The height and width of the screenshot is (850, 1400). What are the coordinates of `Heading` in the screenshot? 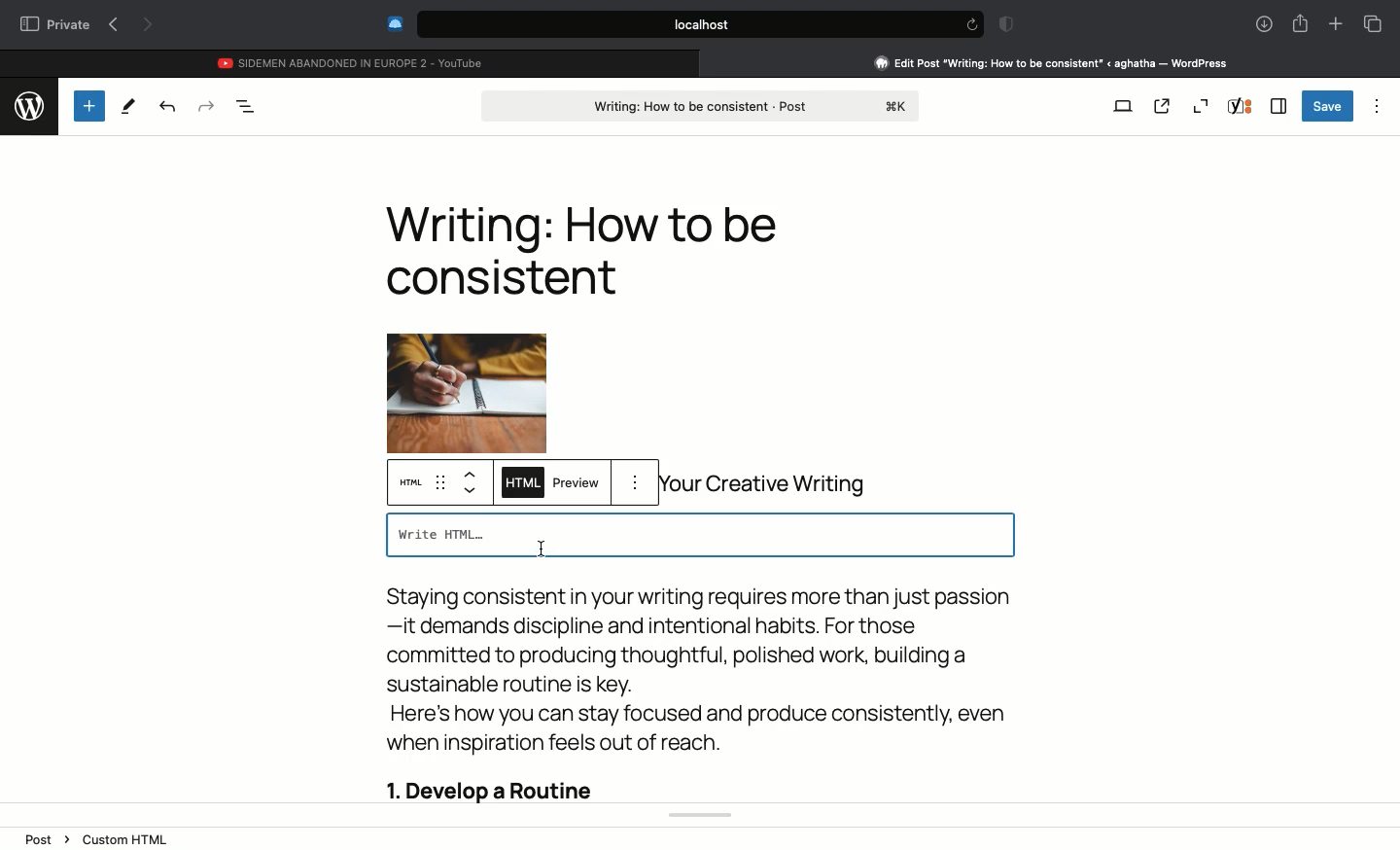 It's located at (581, 250).